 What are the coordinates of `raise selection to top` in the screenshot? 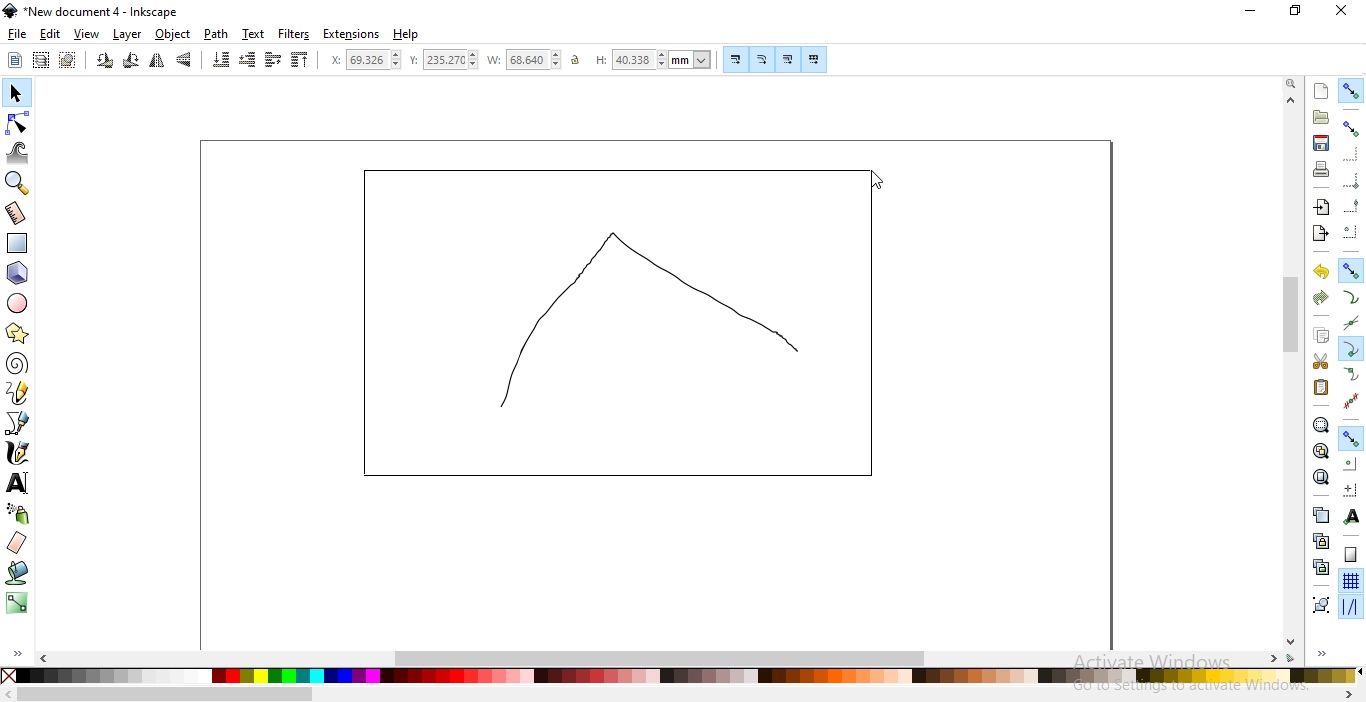 It's located at (300, 59).